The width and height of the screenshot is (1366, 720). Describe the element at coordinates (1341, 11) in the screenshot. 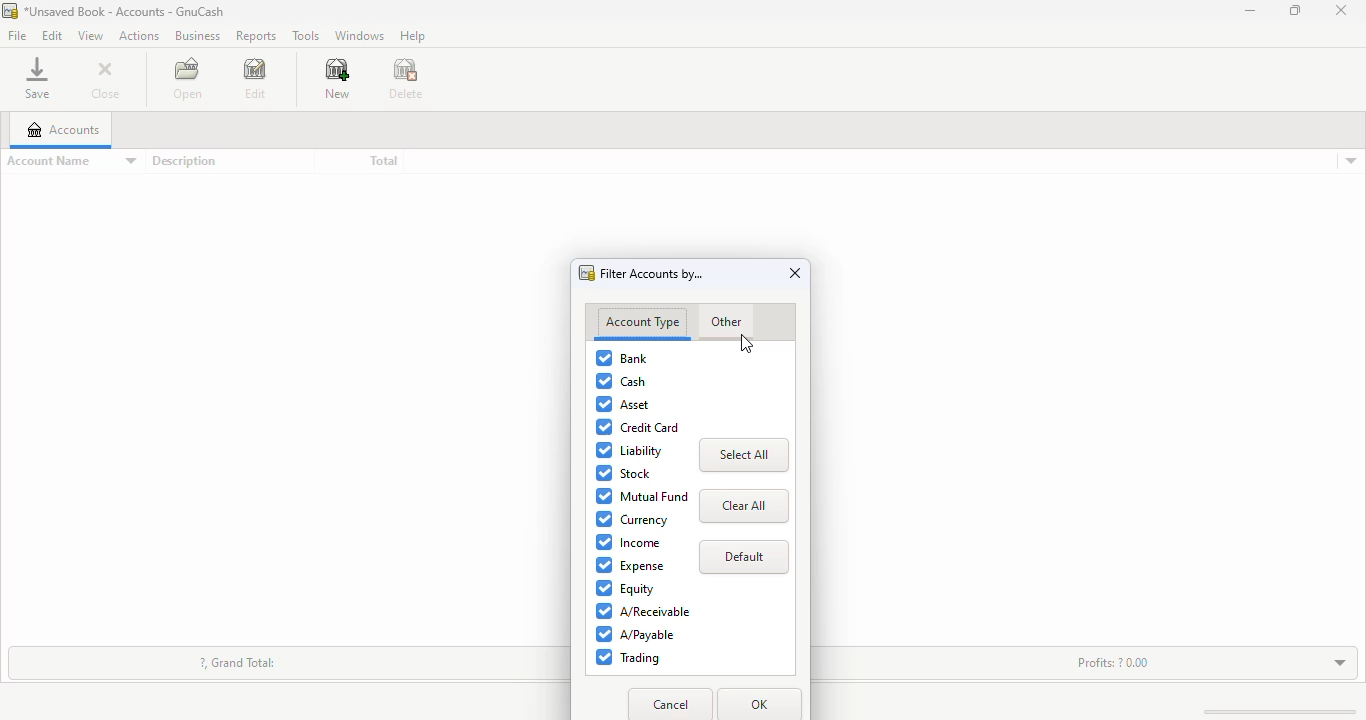

I see `close` at that location.